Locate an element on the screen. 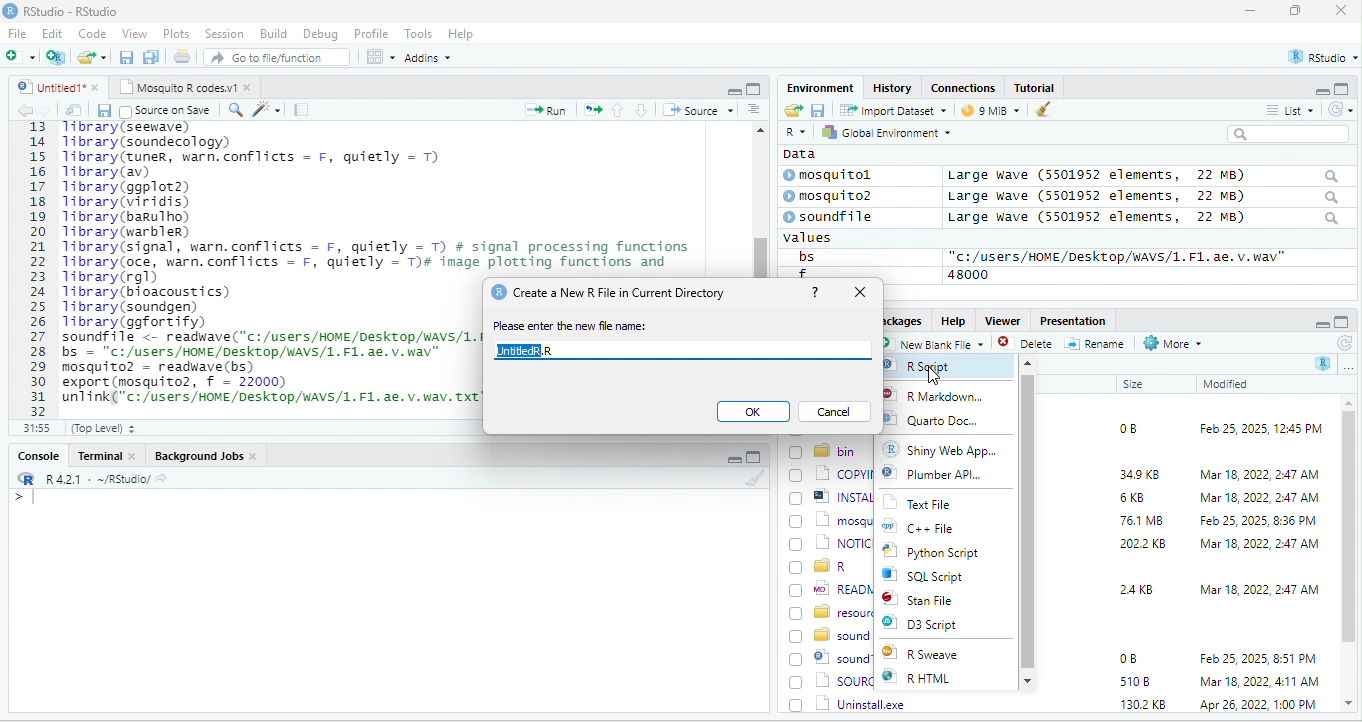 Image resolution: width=1362 pixels, height=722 pixels. 0B is located at coordinates (1121, 426).